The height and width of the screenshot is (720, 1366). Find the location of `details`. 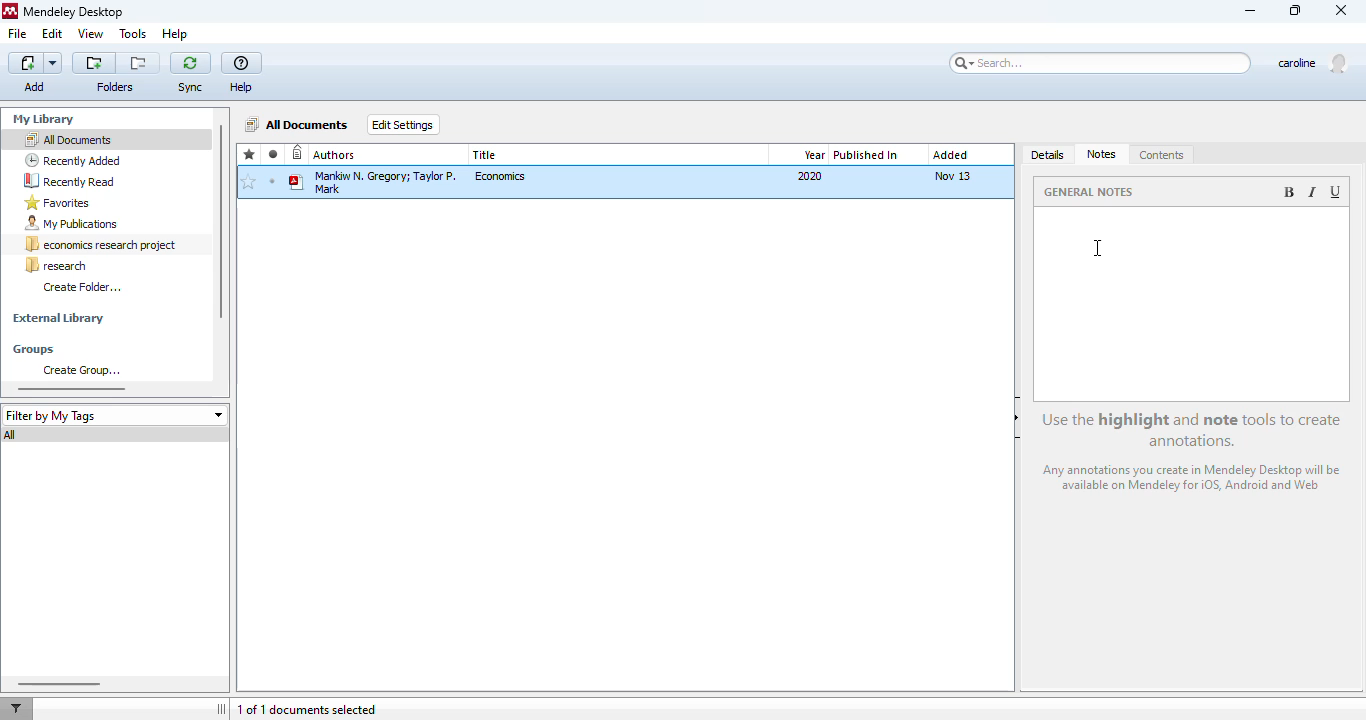

details is located at coordinates (1049, 156).